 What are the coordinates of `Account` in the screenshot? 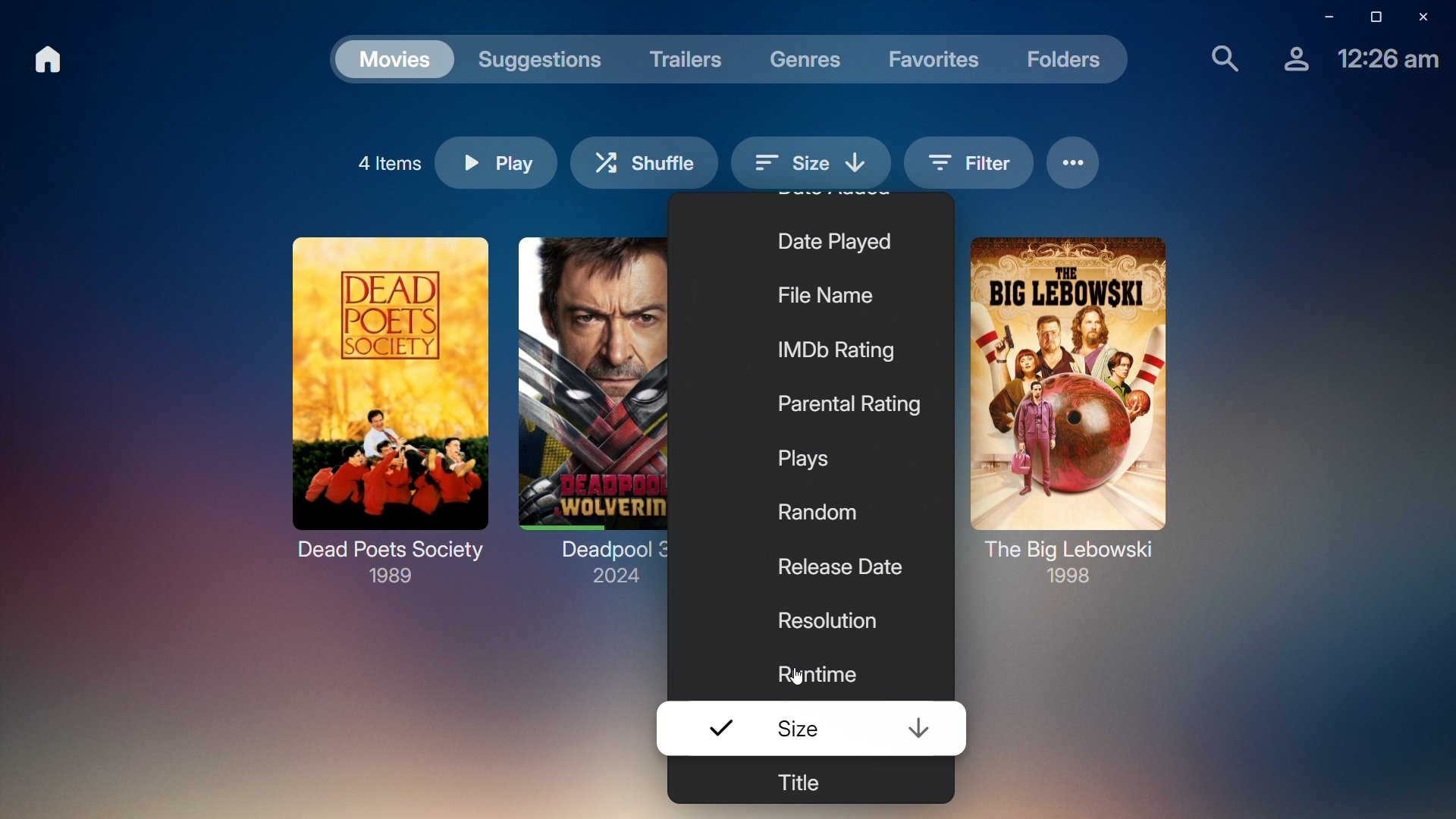 It's located at (1288, 64).